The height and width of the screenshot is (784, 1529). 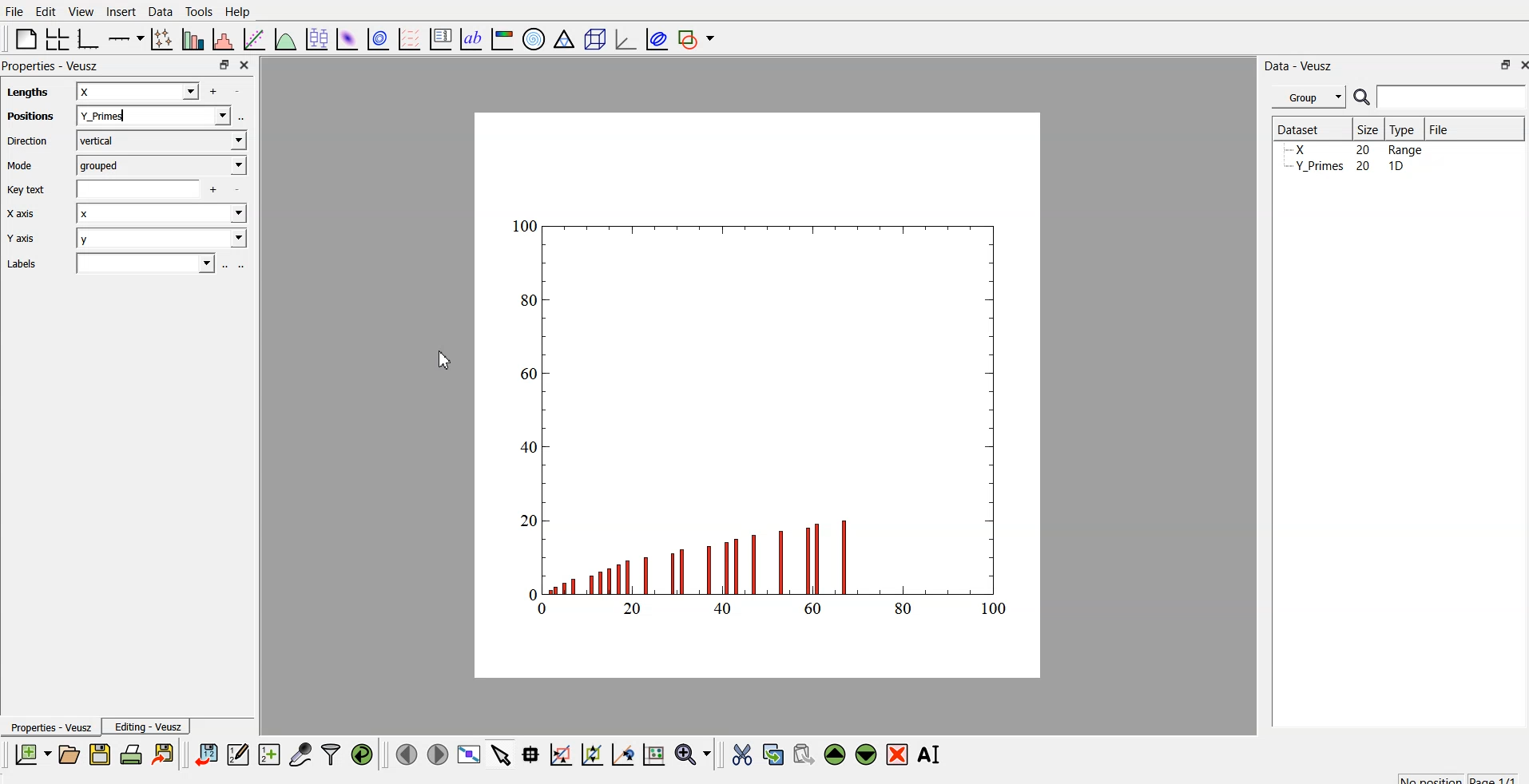 What do you see at coordinates (239, 754) in the screenshot?
I see `editor` at bounding box center [239, 754].